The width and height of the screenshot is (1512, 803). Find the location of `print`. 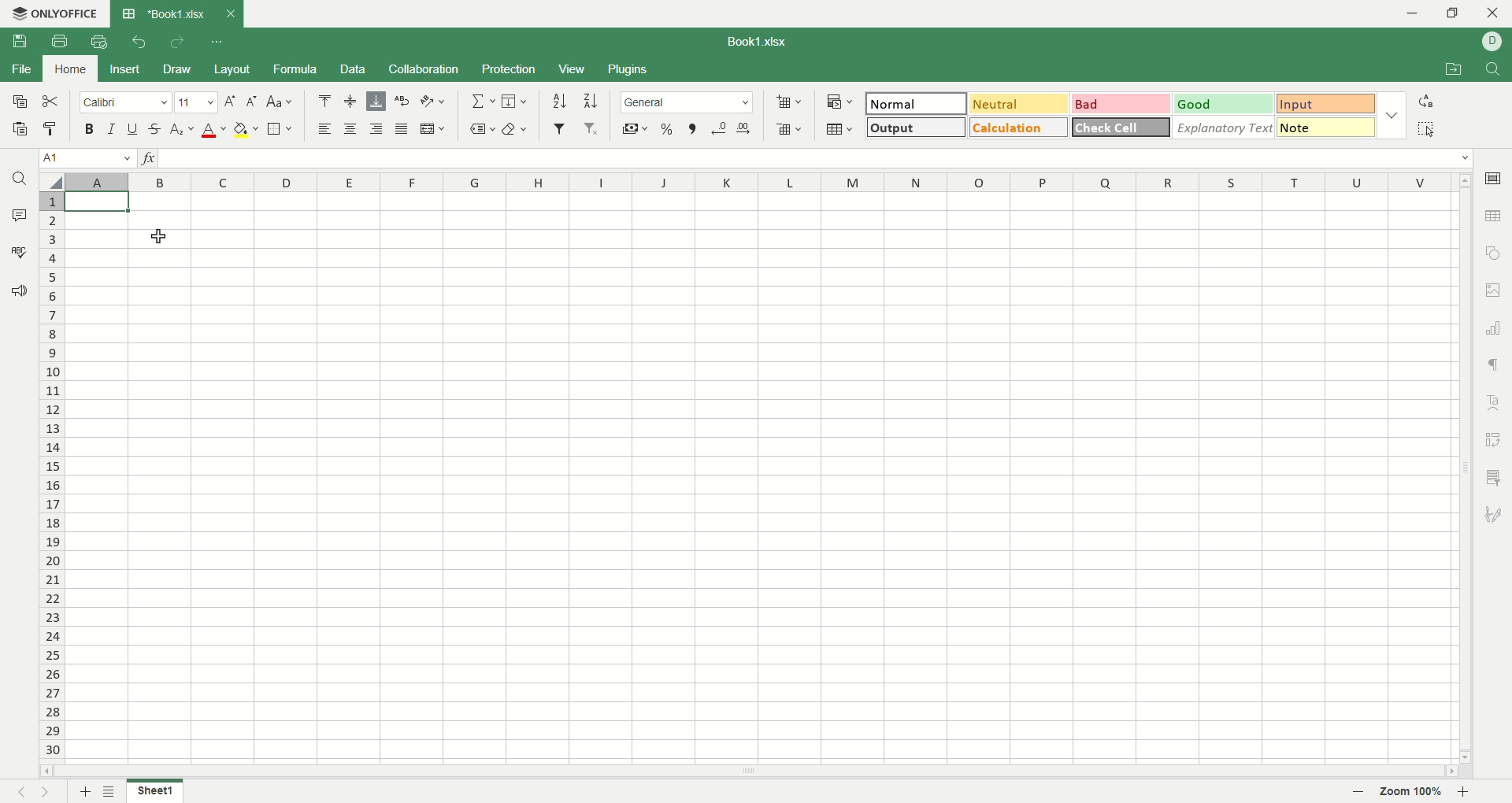

print is located at coordinates (63, 43).